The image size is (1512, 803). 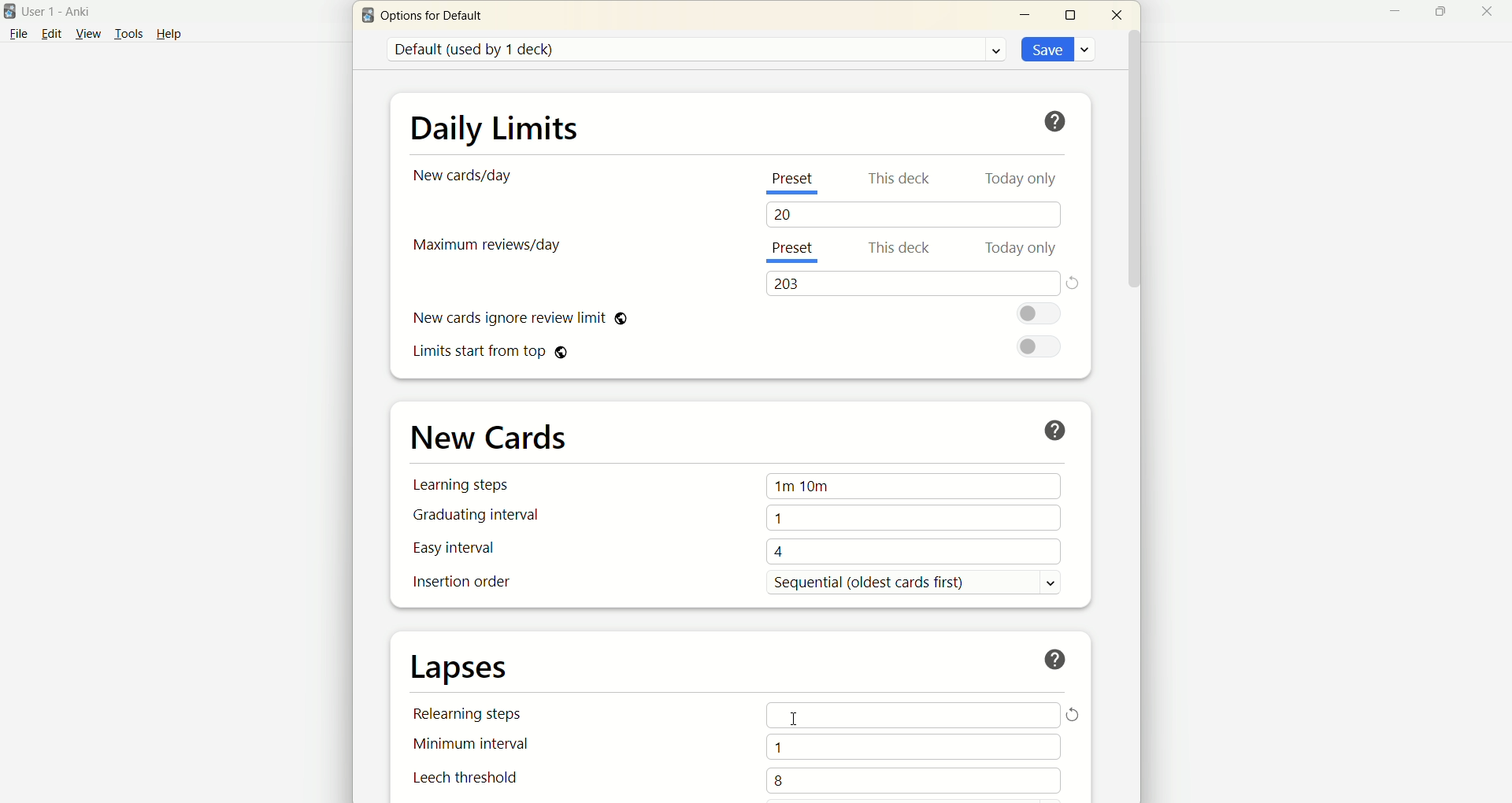 What do you see at coordinates (902, 250) in the screenshot?
I see `this deck` at bounding box center [902, 250].